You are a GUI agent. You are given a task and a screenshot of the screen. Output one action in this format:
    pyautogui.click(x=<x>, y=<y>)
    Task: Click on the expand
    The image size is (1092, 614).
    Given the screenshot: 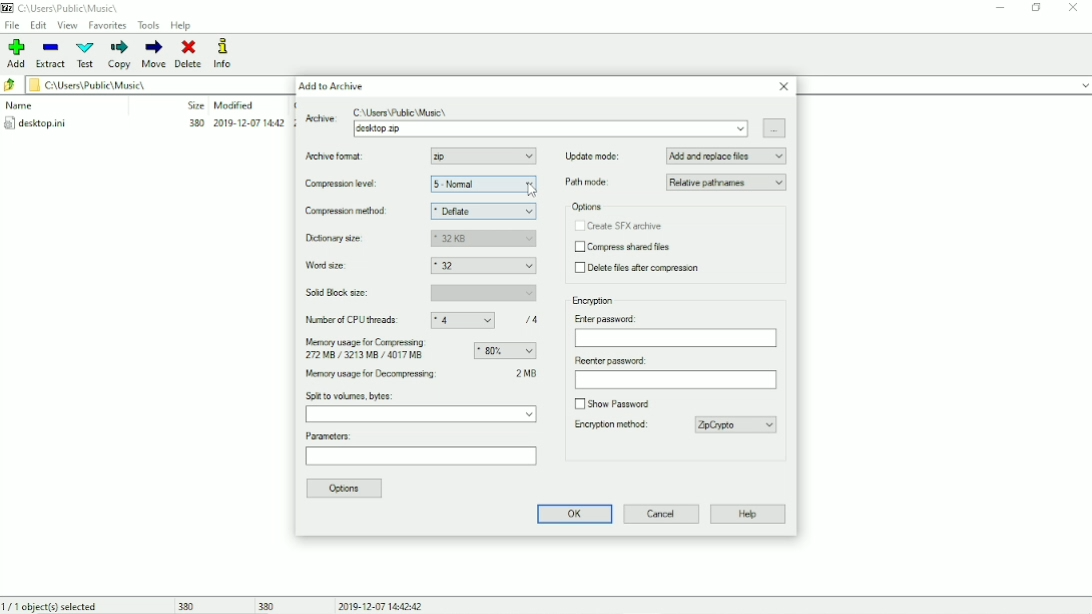 What is the action you would take?
    pyautogui.click(x=1084, y=86)
    